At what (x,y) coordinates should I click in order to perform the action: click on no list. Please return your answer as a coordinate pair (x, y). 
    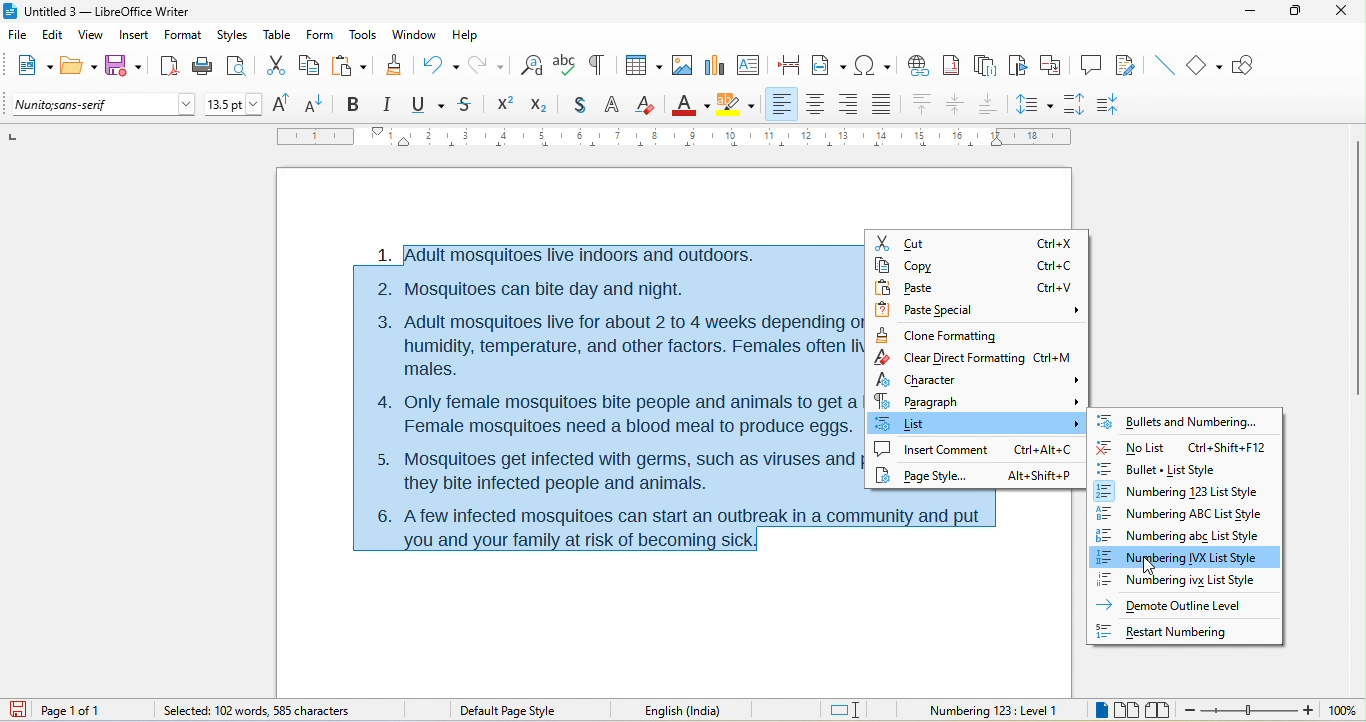
    Looking at the image, I should click on (1181, 444).